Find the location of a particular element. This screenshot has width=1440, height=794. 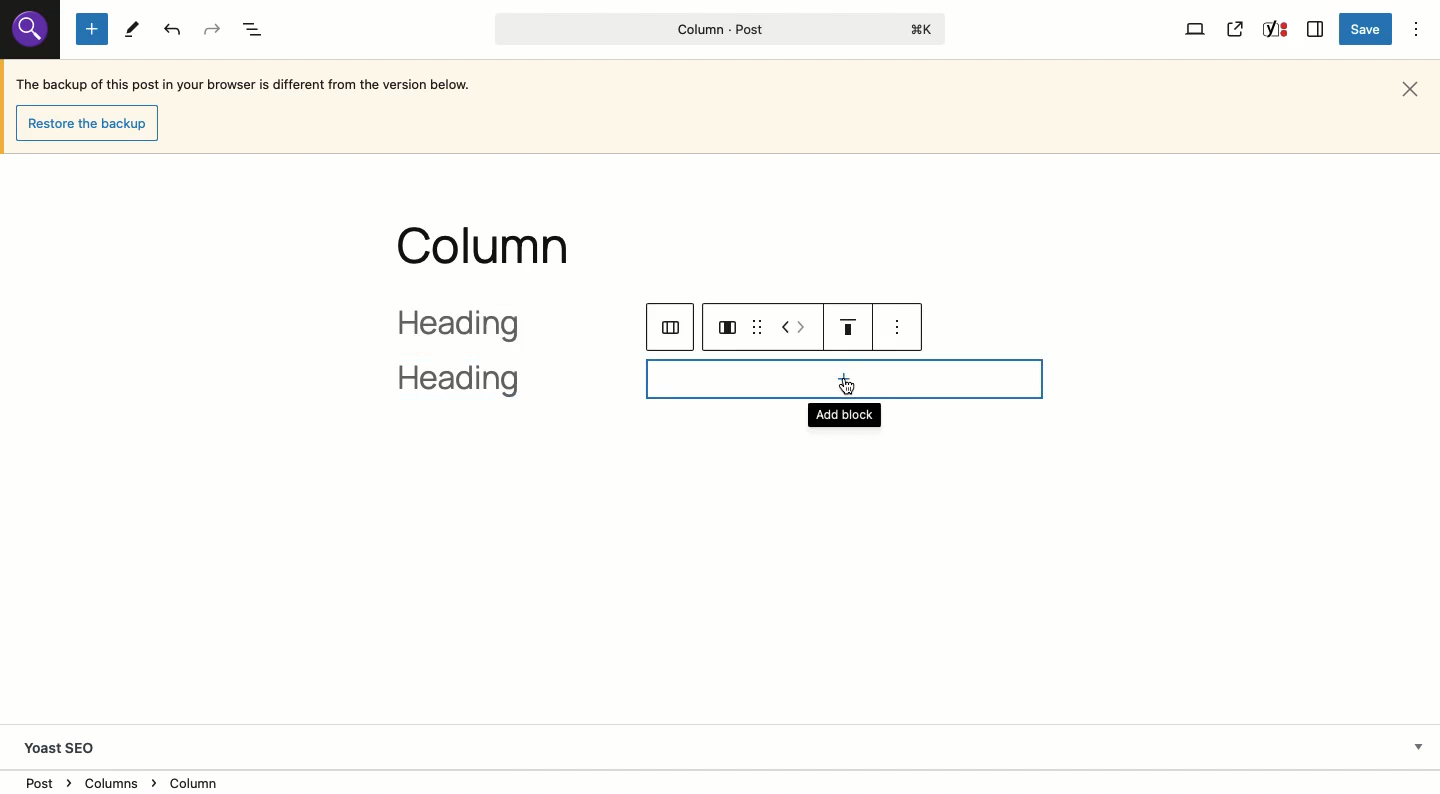

column is located at coordinates (486, 246).